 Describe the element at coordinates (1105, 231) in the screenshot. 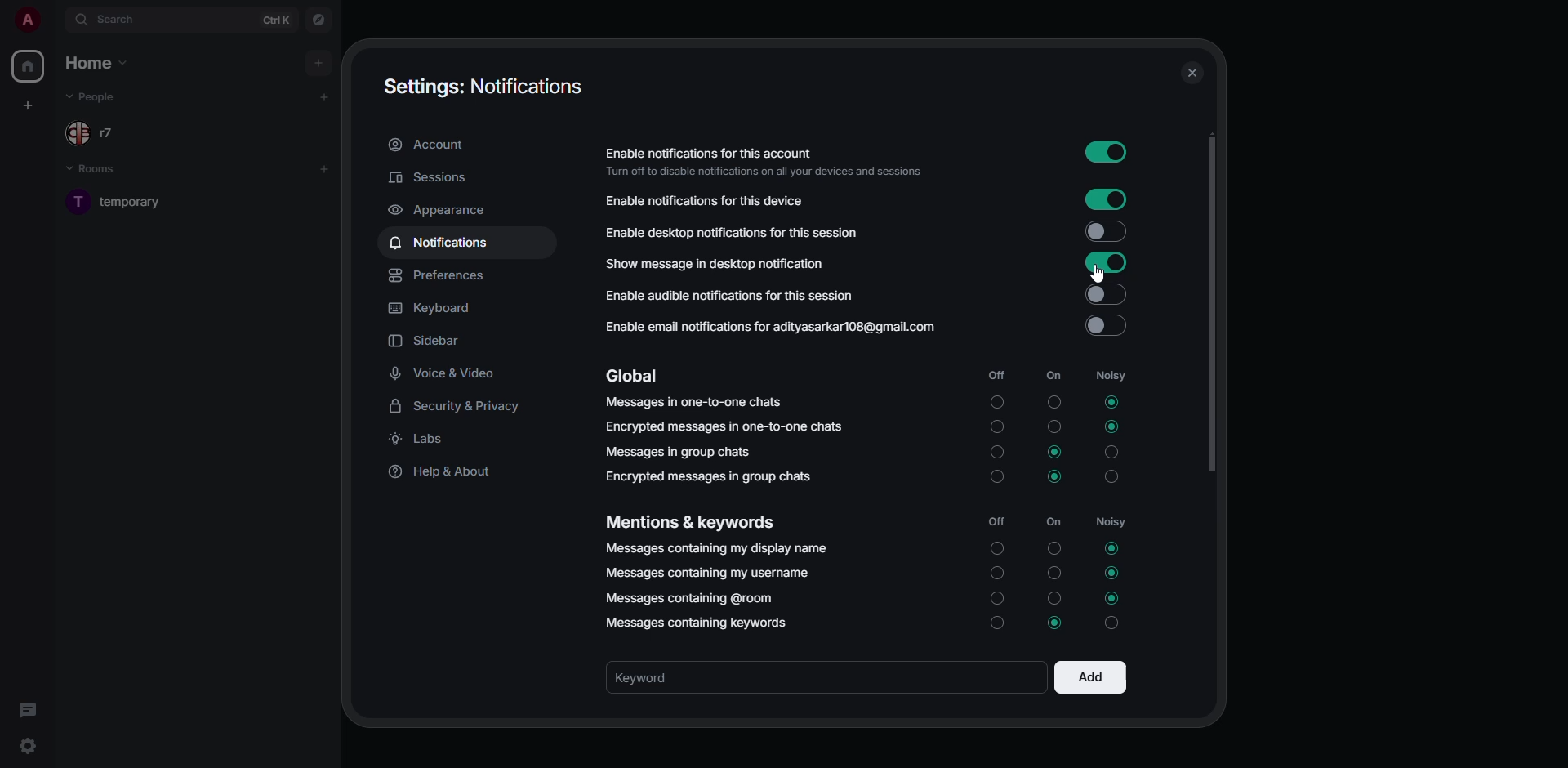

I see `click to enable` at that location.